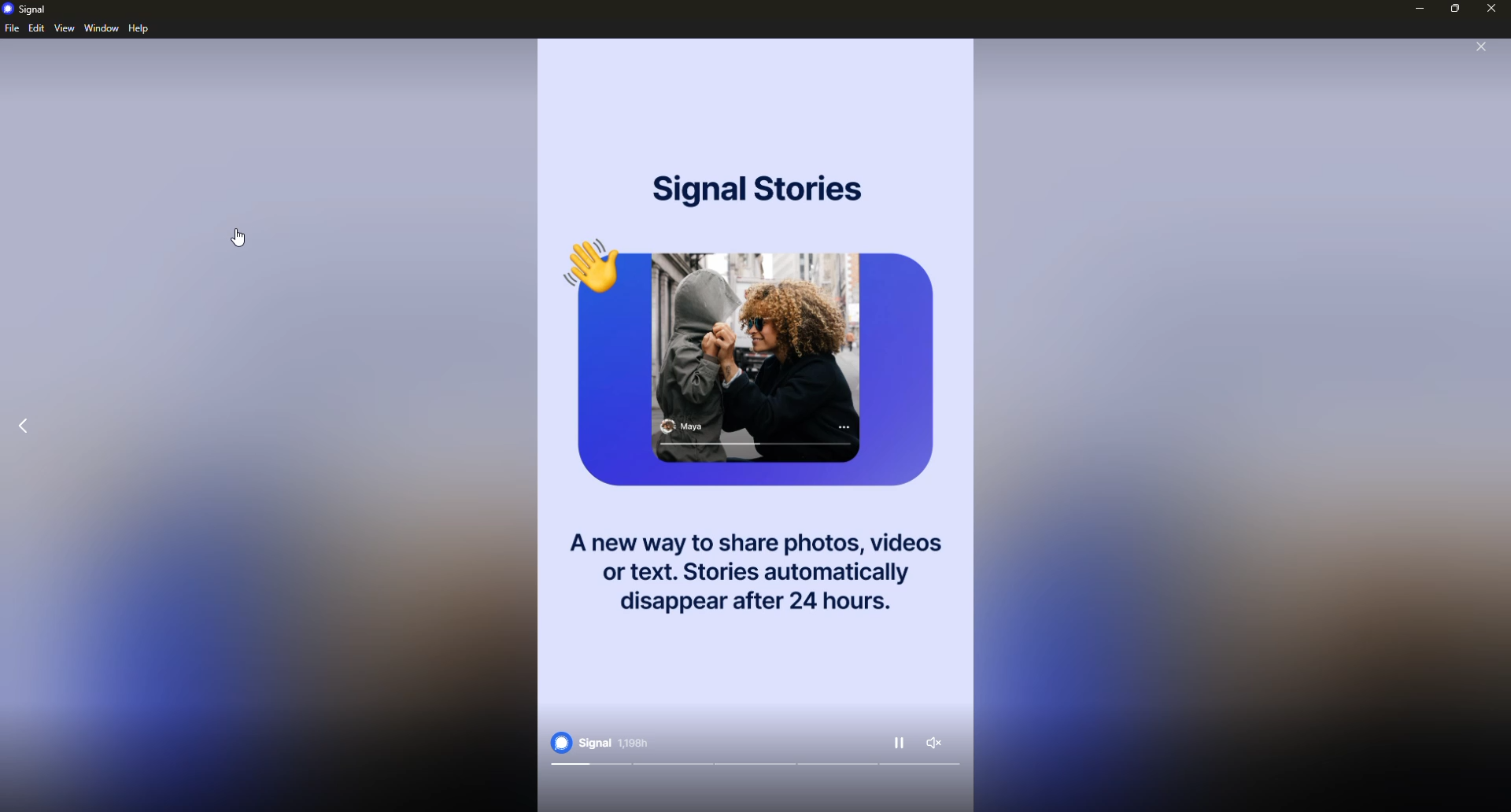 This screenshot has width=1511, height=812. Describe the element at coordinates (762, 367) in the screenshot. I see `story` at that location.